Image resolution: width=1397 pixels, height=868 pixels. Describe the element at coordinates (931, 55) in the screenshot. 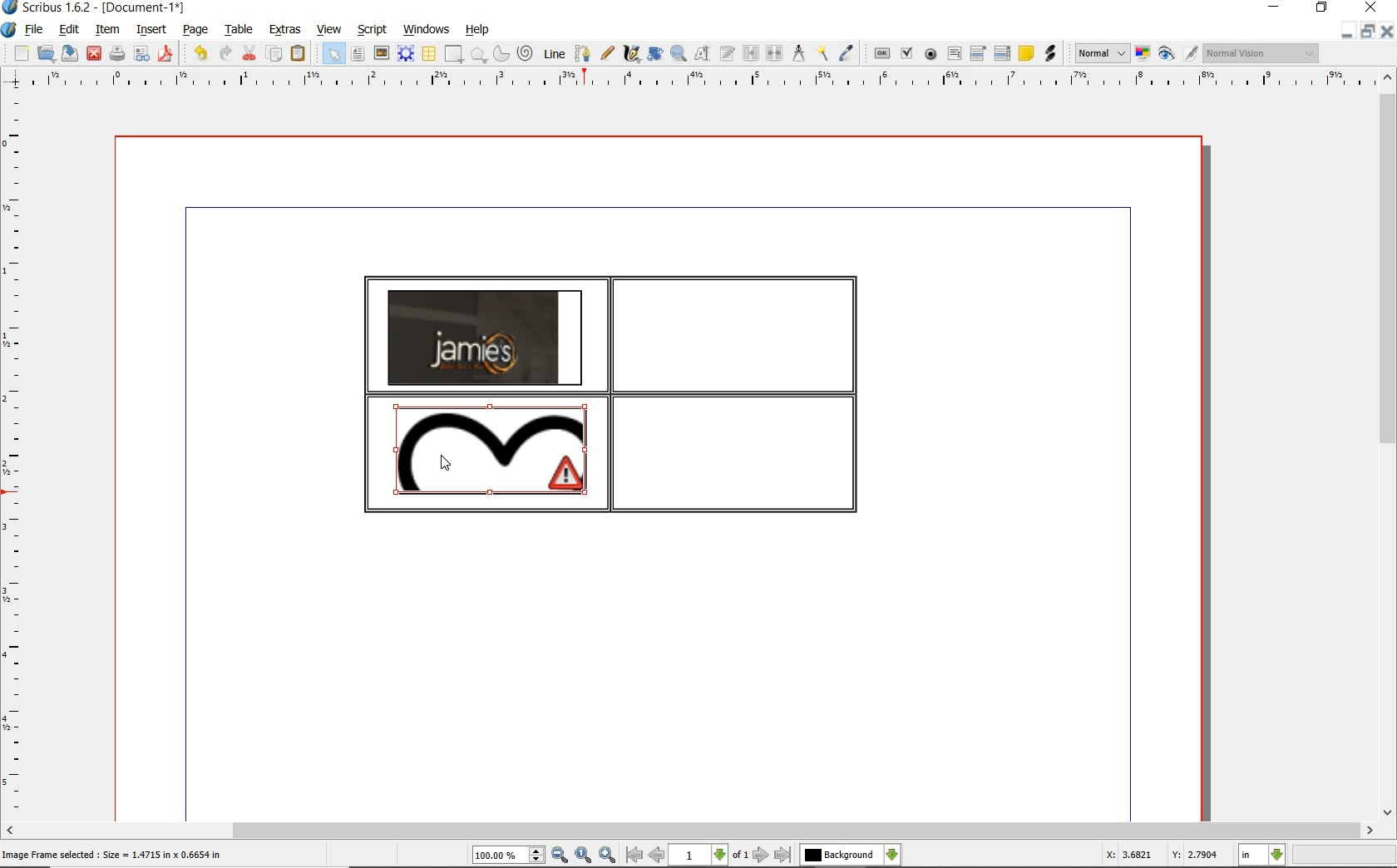

I see `pdf radio box` at that location.